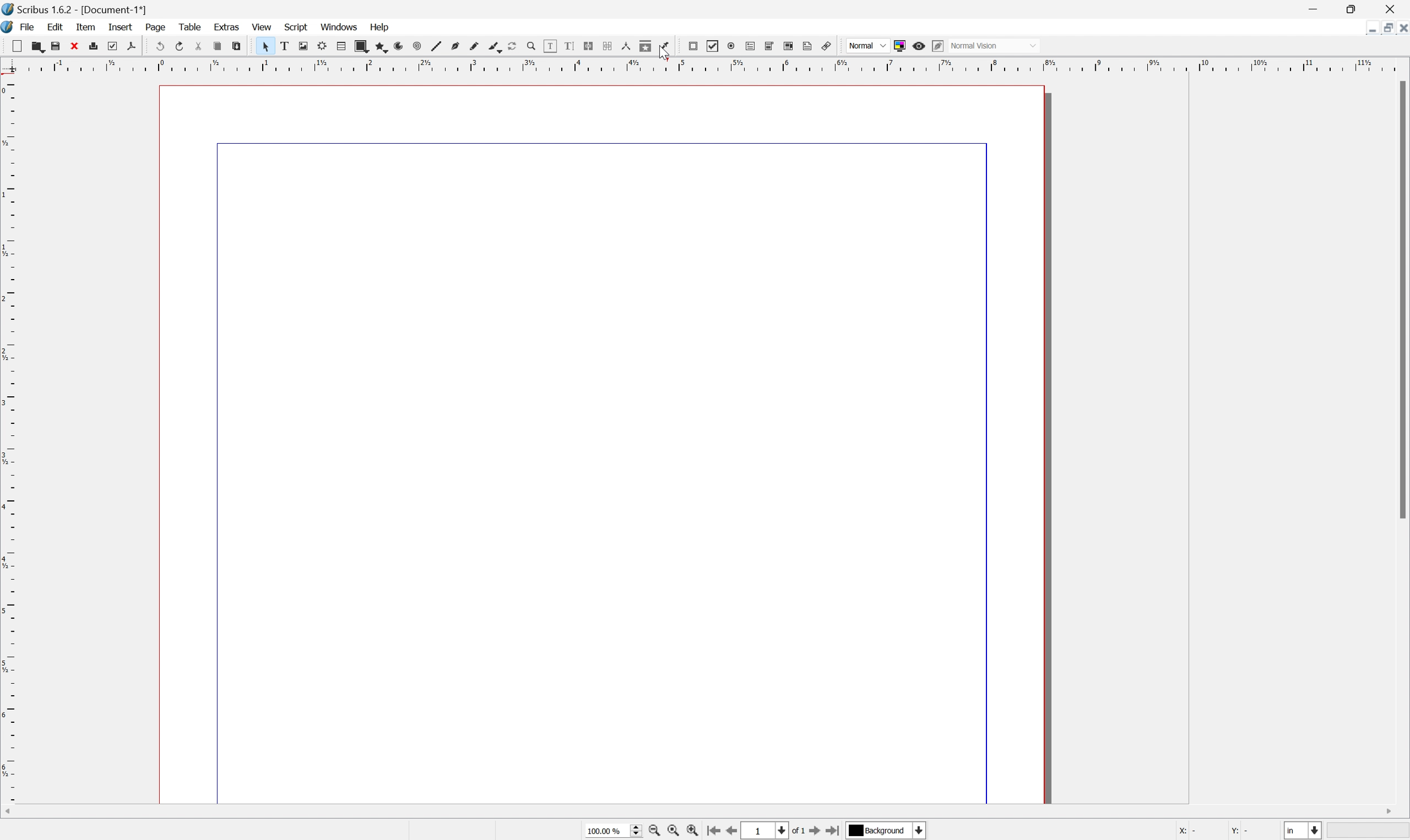 The image size is (1410, 840). Describe the element at coordinates (608, 45) in the screenshot. I see `Unlink text frames` at that location.